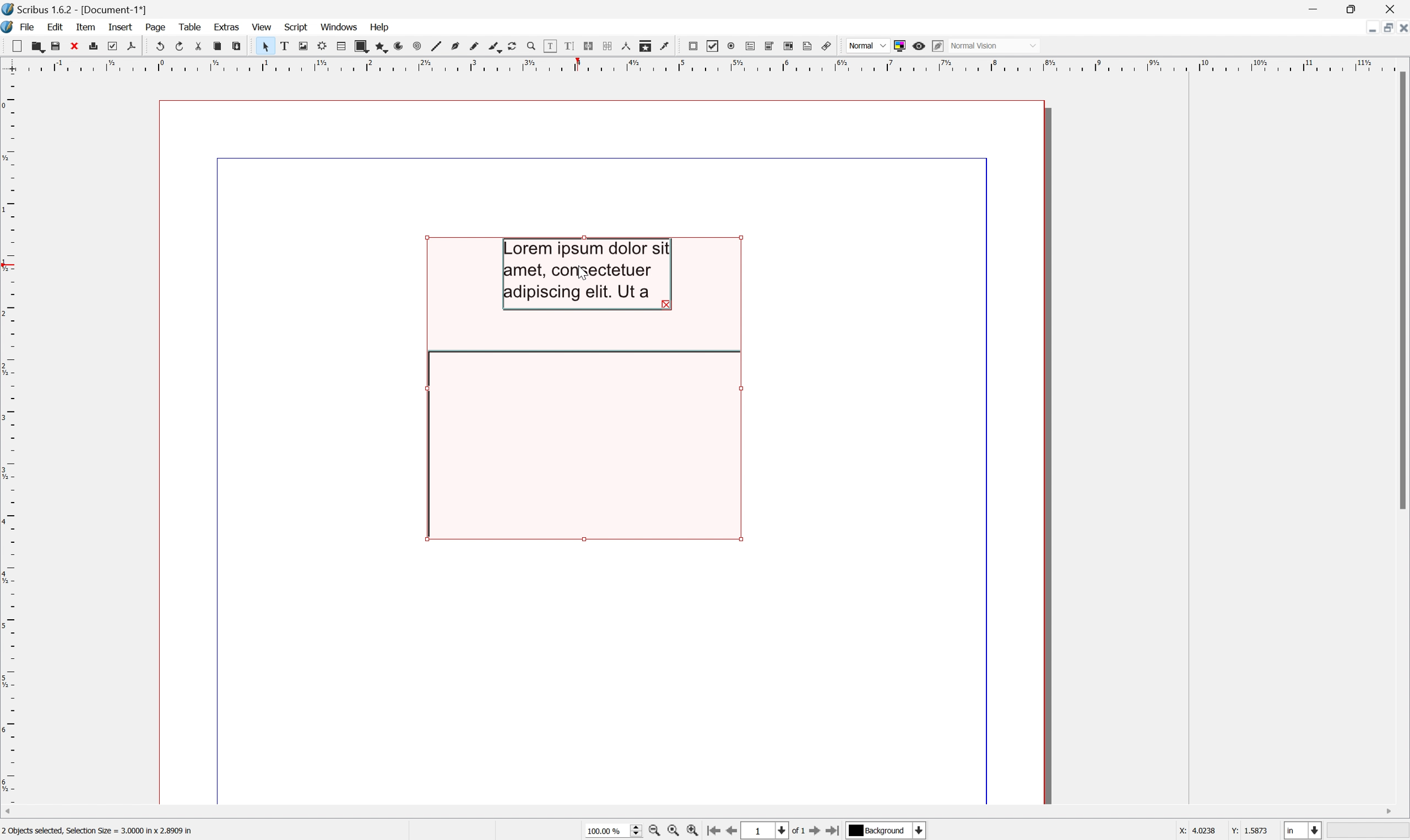 The width and height of the screenshot is (1410, 840). I want to click on Zoom out by the stepping value, so click(657, 832).